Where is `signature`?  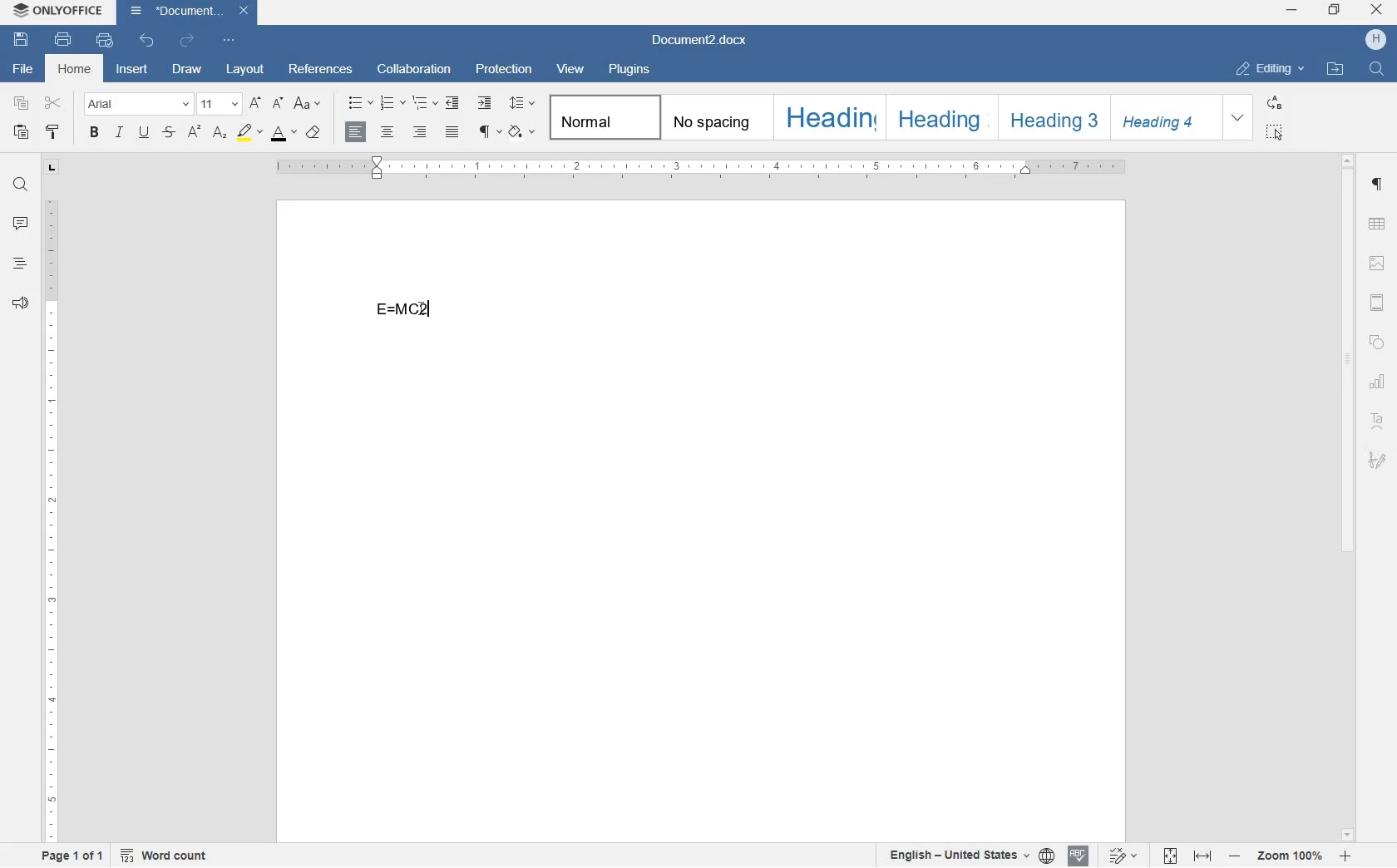 signature is located at coordinates (1379, 462).